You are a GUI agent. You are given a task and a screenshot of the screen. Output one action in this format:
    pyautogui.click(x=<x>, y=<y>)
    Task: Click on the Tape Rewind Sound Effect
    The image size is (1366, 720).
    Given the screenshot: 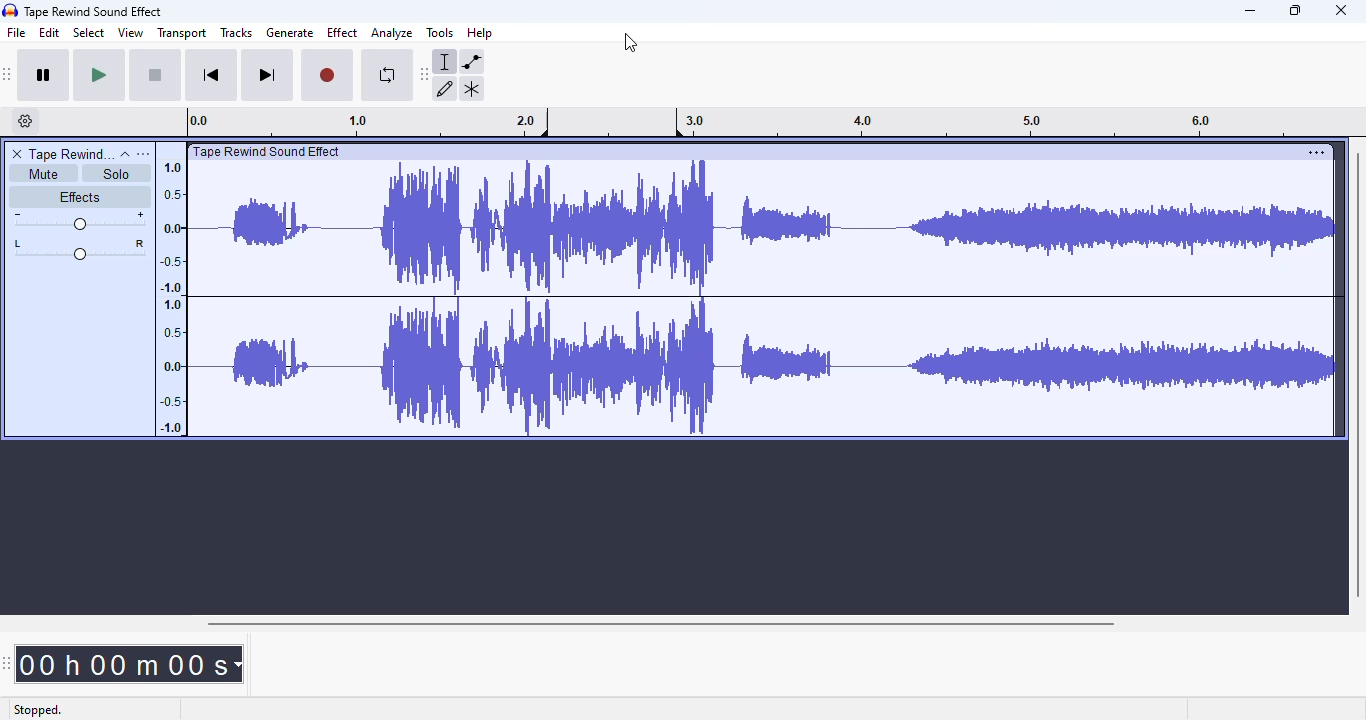 What is the action you would take?
    pyautogui.click(x=101, y=11)
    